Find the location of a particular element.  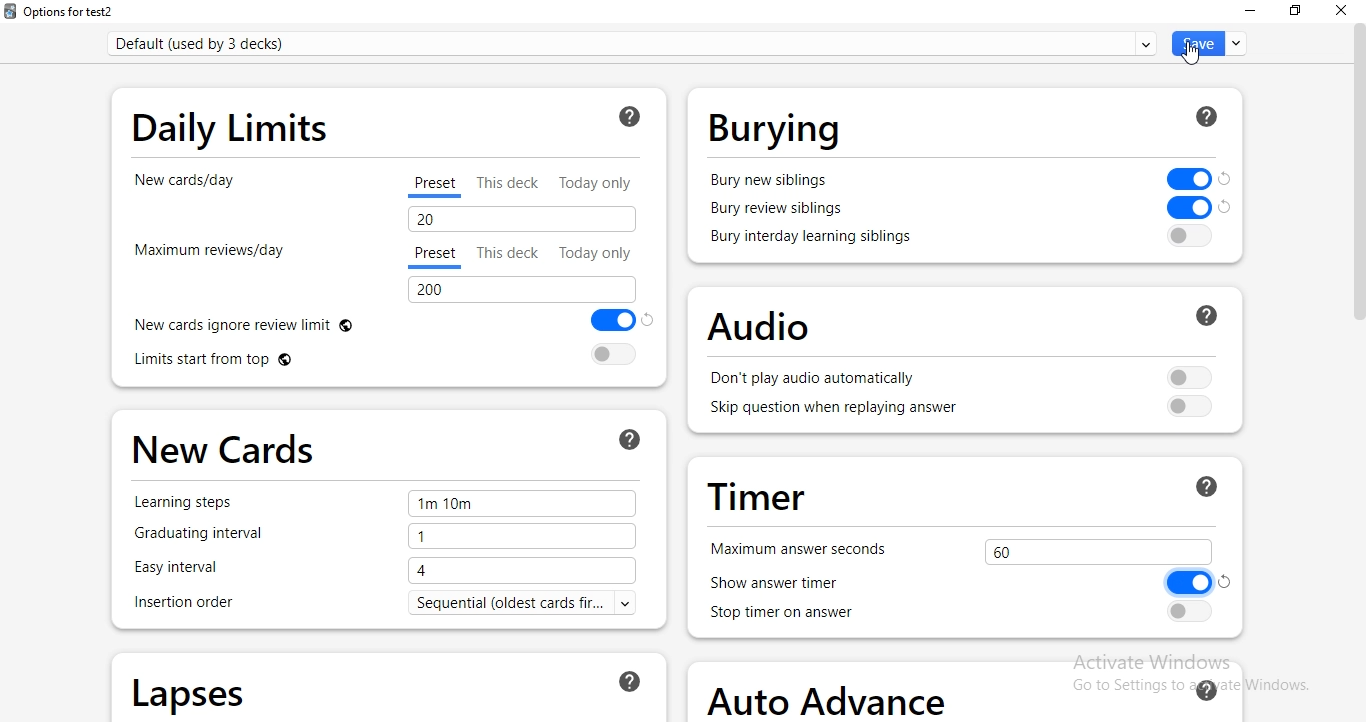

This deck is located at coordinates (511, 184).